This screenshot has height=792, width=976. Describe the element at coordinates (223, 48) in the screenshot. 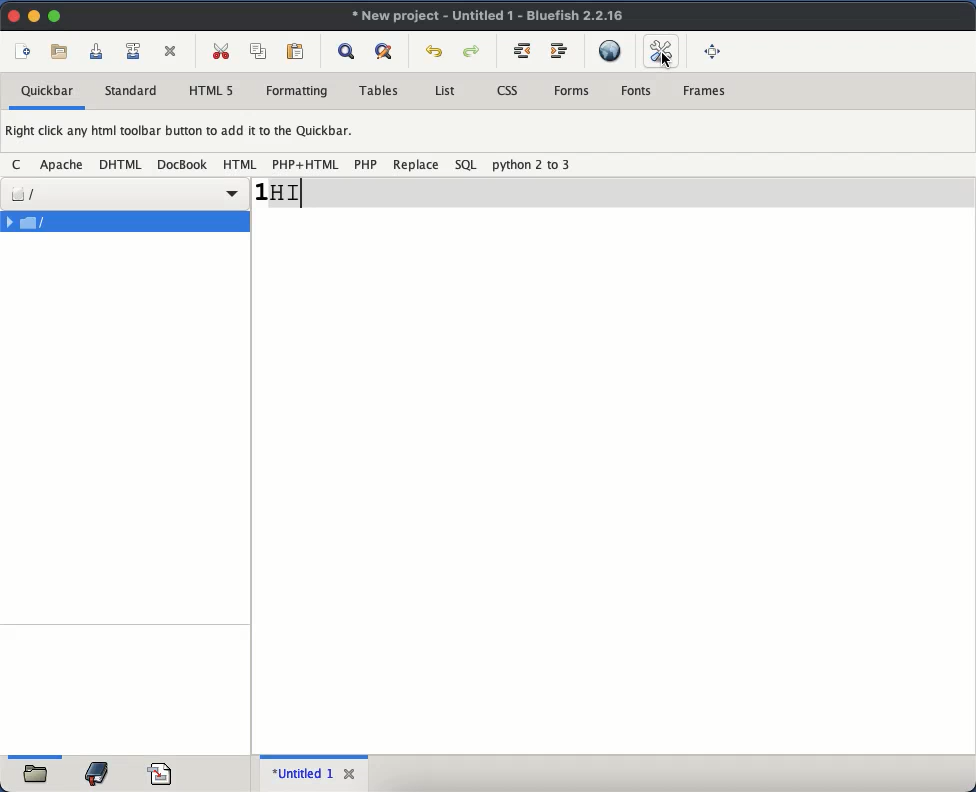

I see `cut` at that location.